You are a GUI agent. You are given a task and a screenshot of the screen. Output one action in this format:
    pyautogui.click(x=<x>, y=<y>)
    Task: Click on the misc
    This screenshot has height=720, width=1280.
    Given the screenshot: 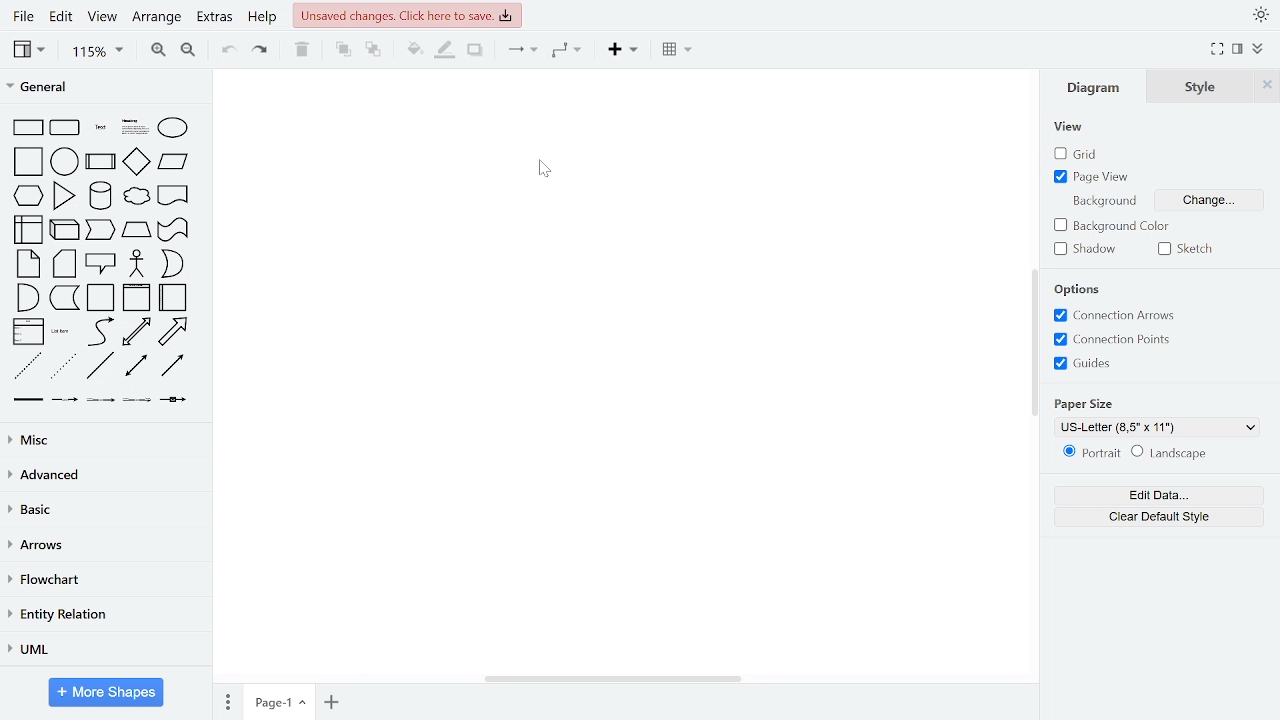 What is the action you would take?
    pyautogui.click(x=106, y=437)
    